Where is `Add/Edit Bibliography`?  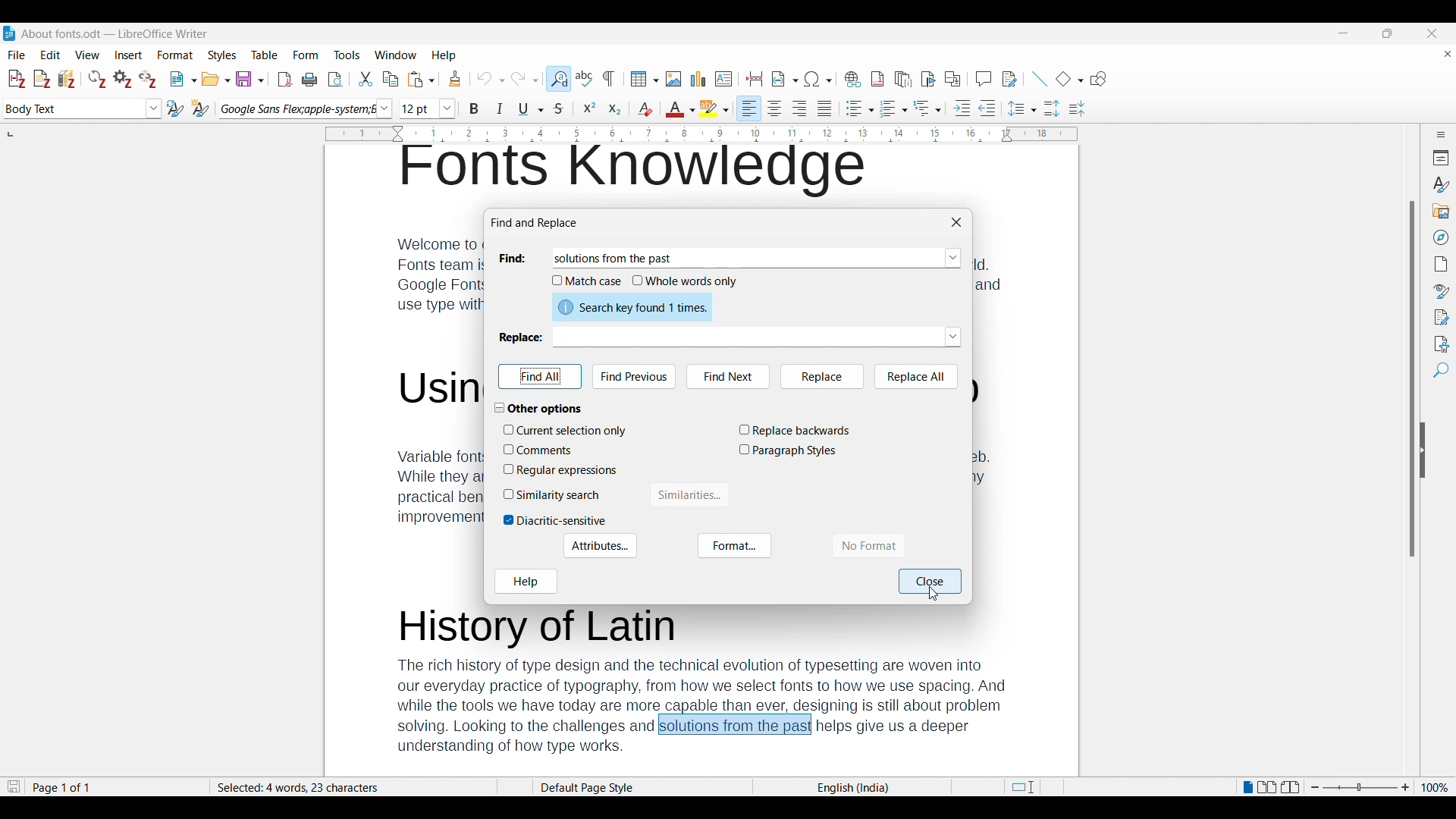 Add/Edit Bibliography is located at coordinates (67, 79).